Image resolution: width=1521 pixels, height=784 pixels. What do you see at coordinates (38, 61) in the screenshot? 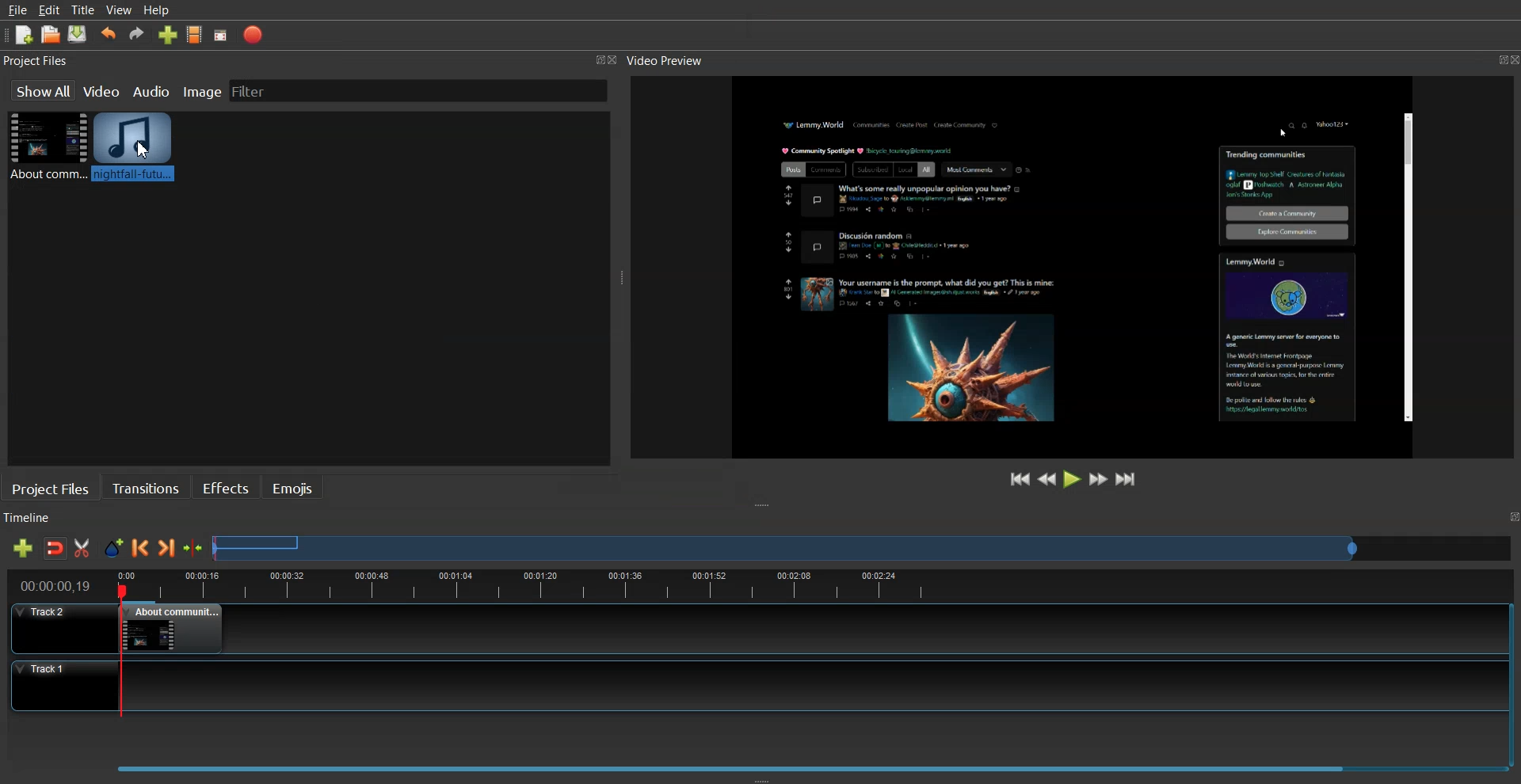
I see `Project Files` at bounding box center [38, 61].